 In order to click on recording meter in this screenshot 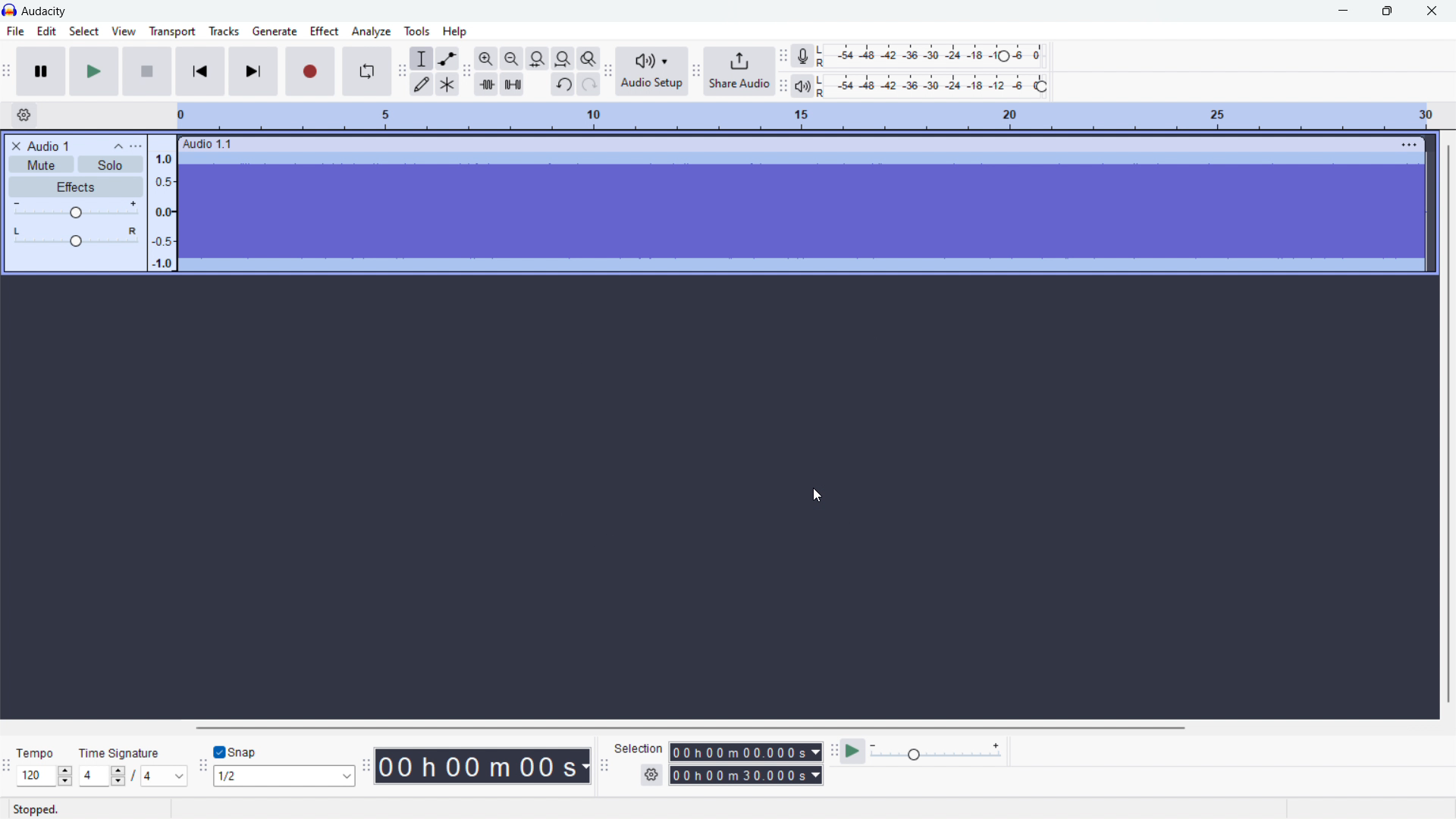, I will do `click(802, 56)`.